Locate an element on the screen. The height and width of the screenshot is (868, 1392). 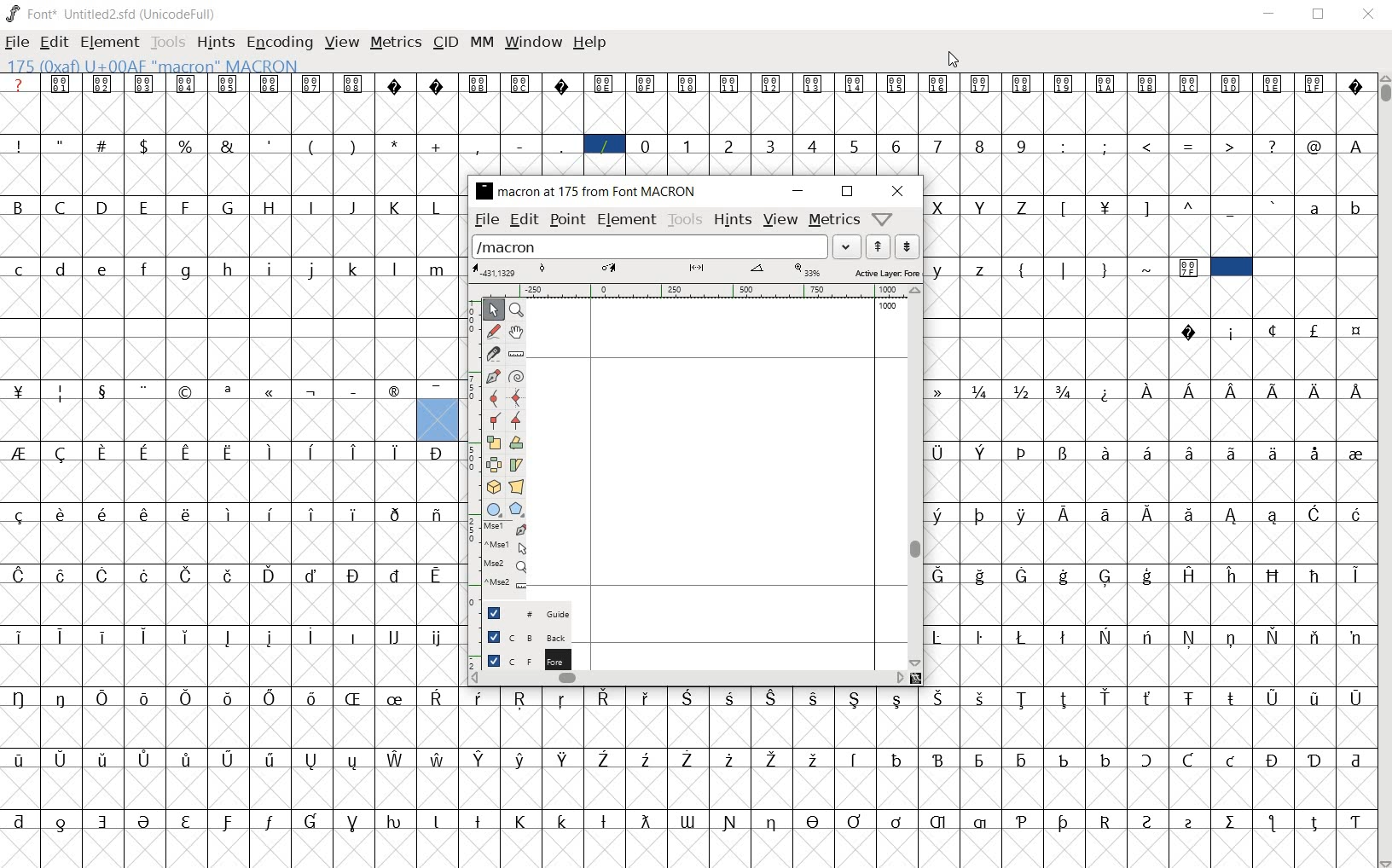
Symbol is located at coordinates (1230, 821).